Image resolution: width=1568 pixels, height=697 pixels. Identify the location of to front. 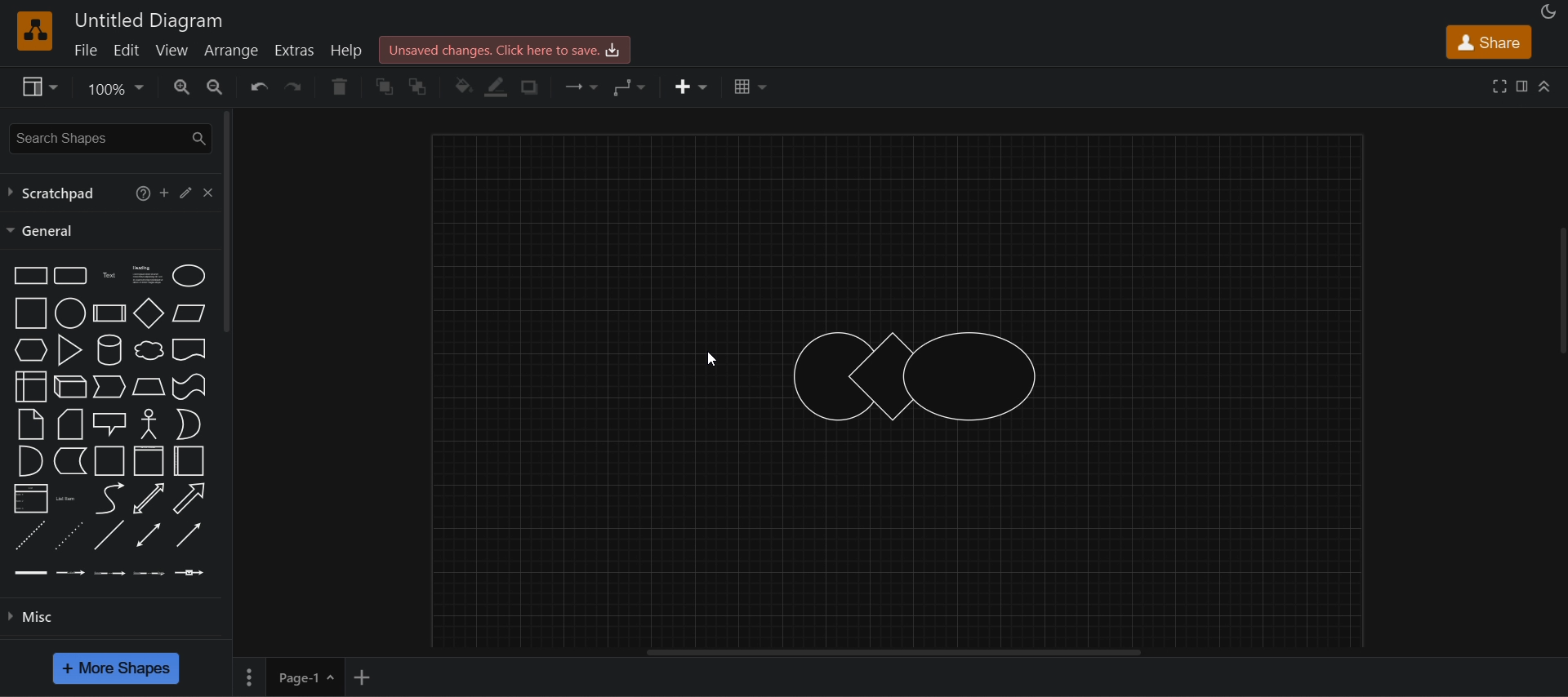
(385, 87).